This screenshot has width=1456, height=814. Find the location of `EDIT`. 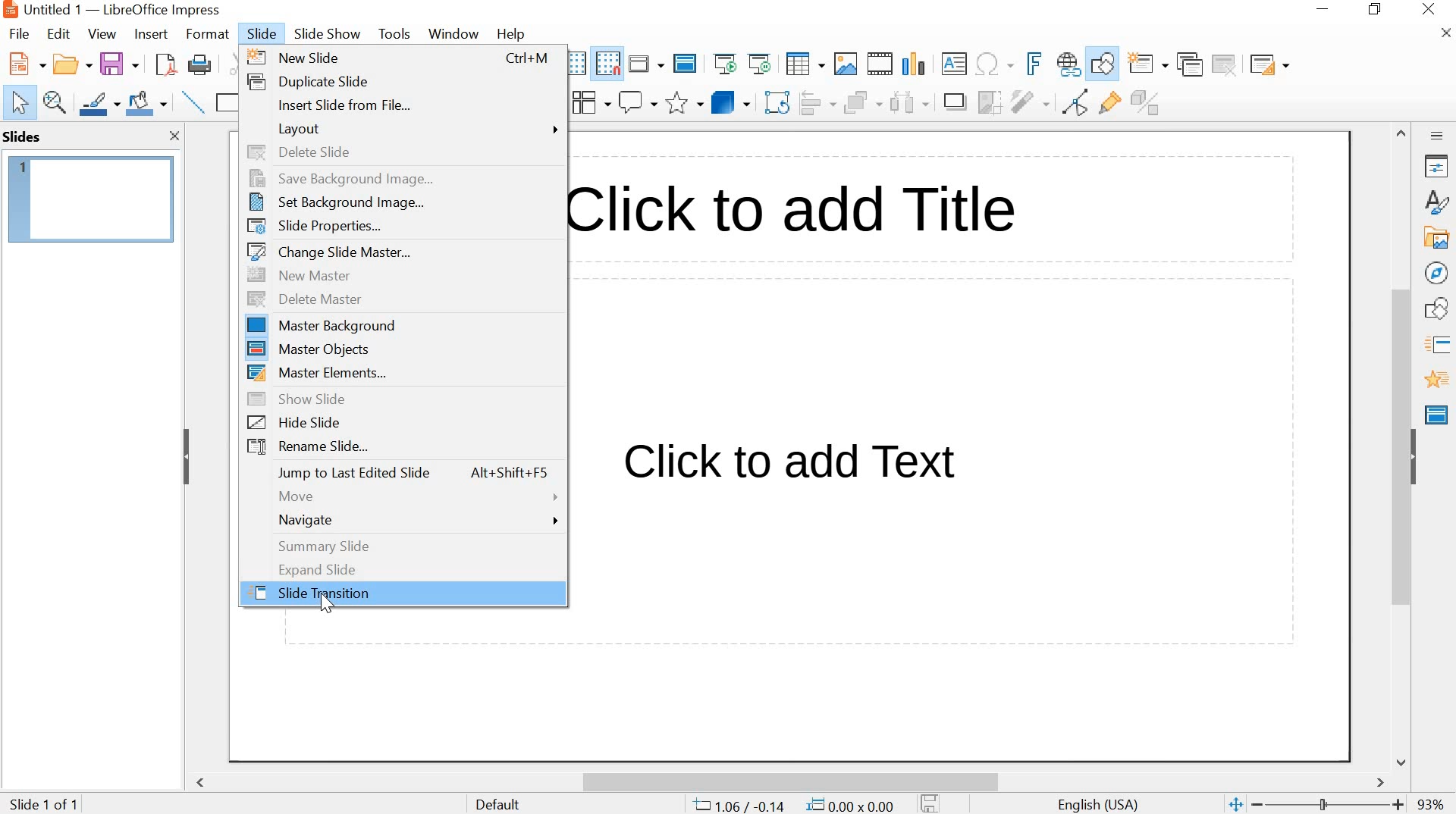

EDIT is located at coordinates (59, 33).